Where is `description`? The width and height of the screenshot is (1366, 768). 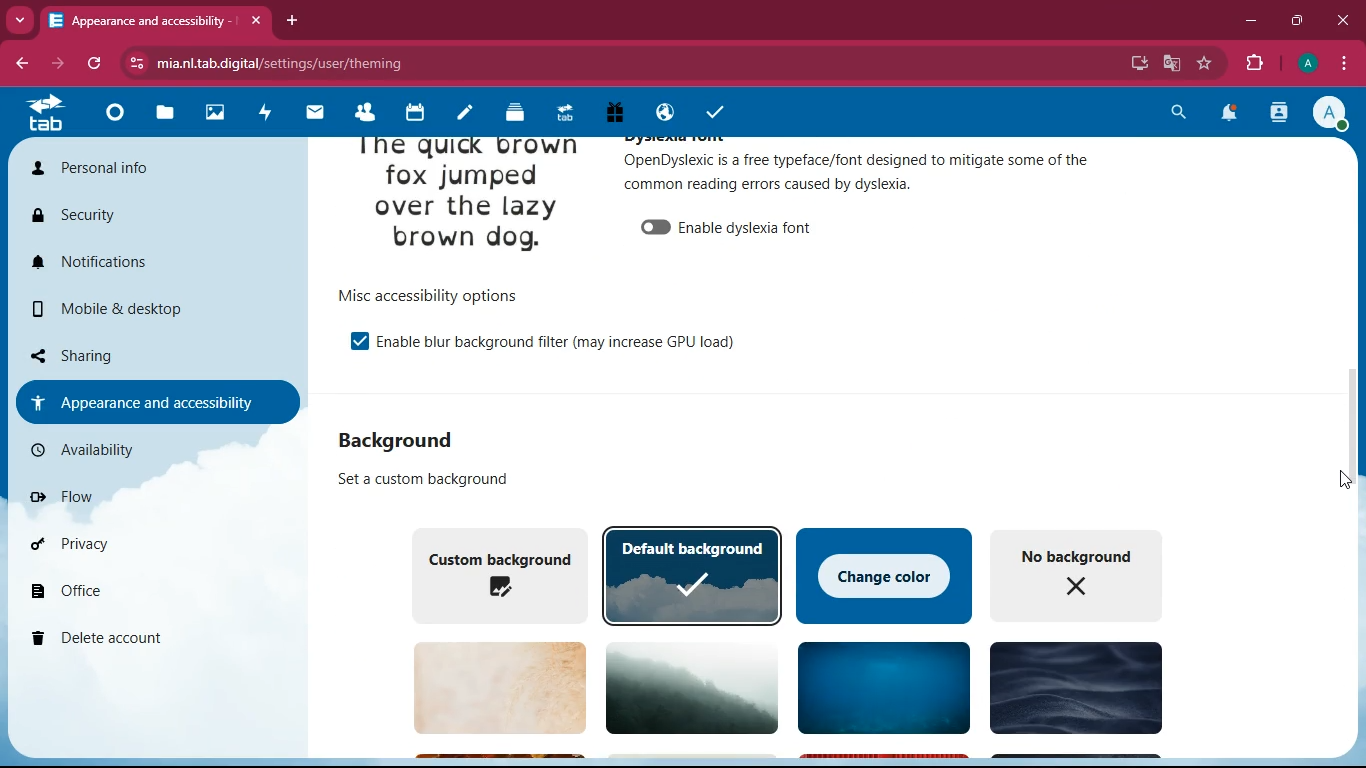
description is located at coordinates (413, 479).